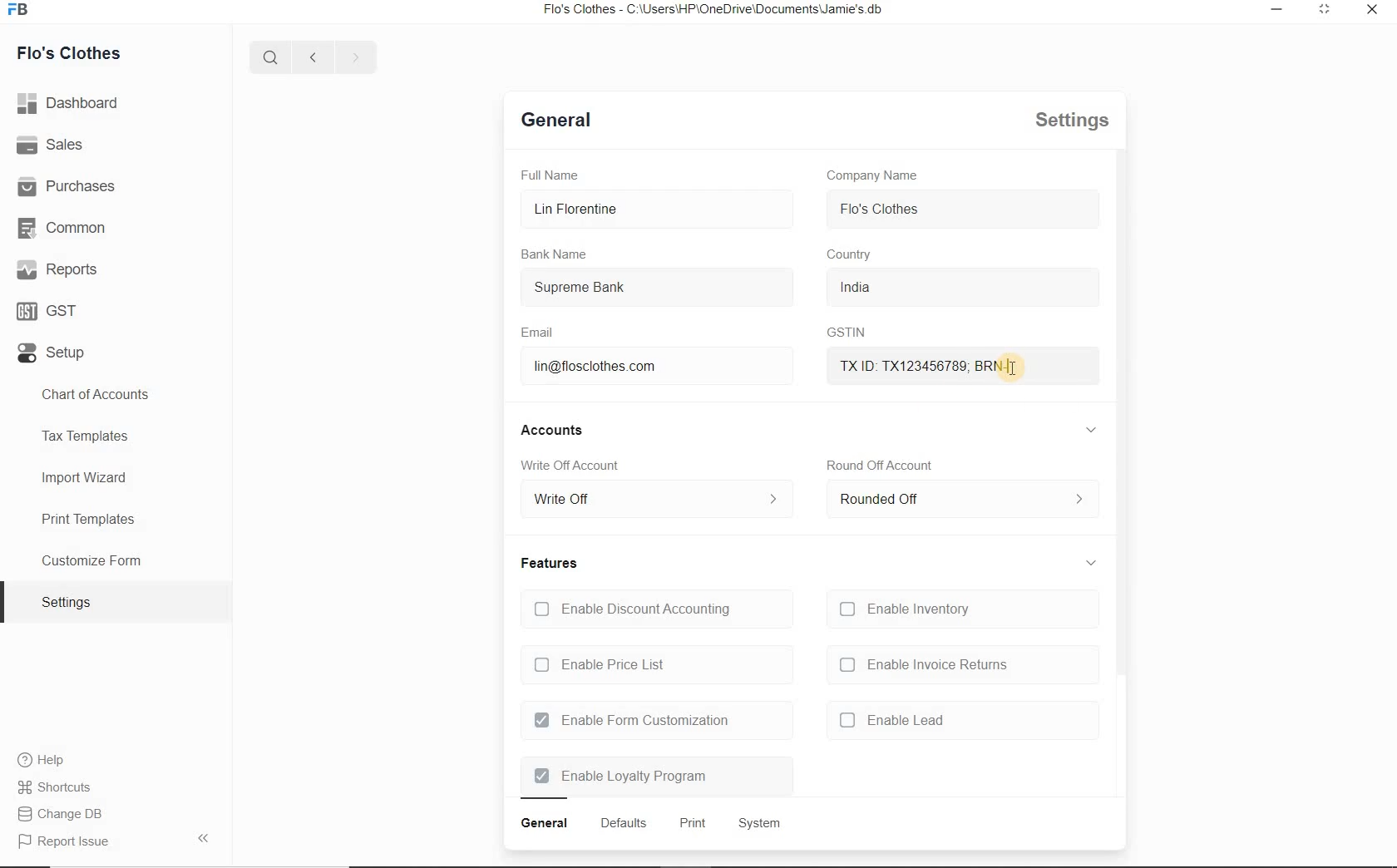 The height and width of the screenshot is (868, 1397). I want to click on Reports, so click(62, 269).